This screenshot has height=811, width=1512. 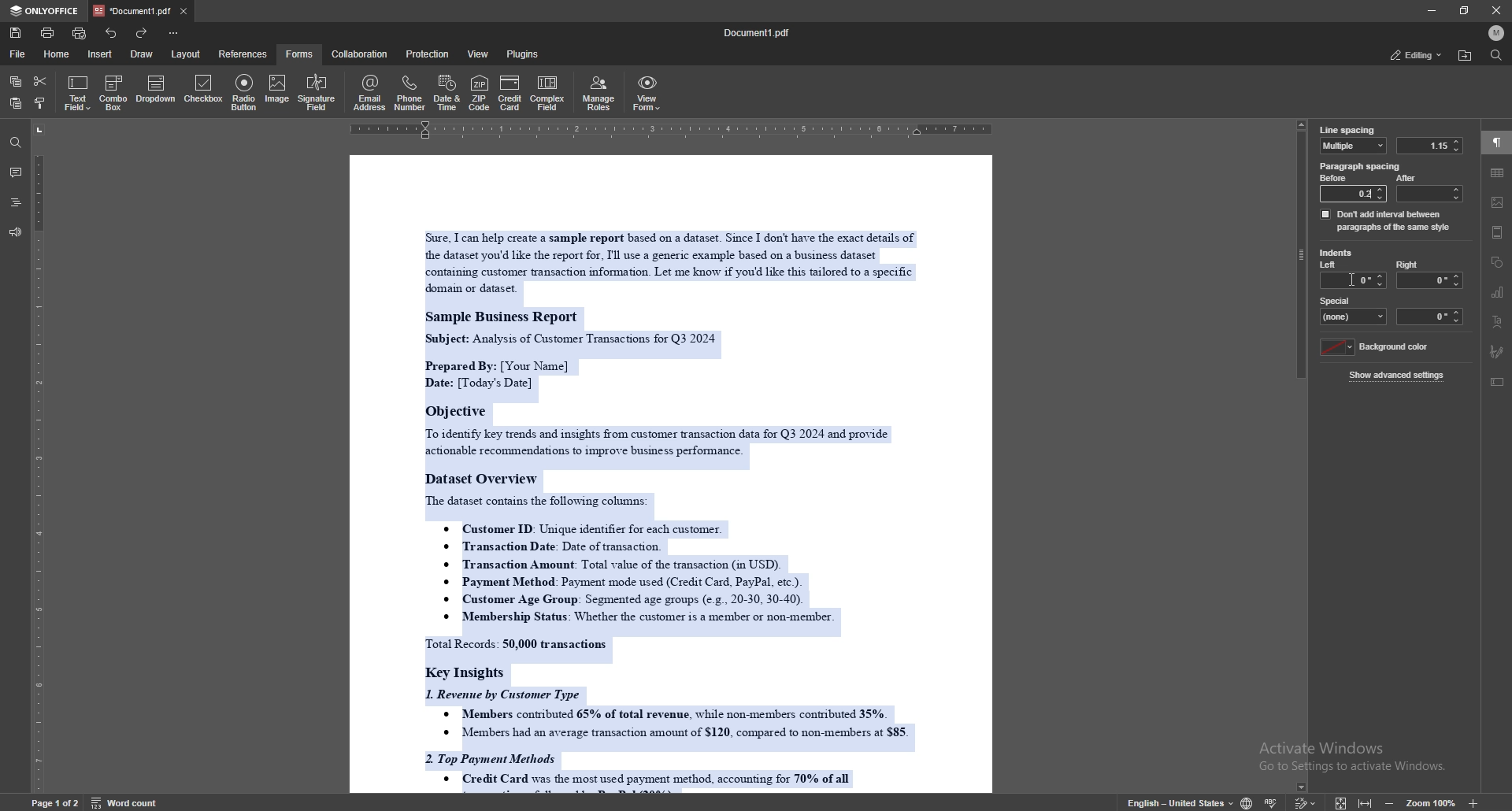 What do you see at coordinates (301, 54) in the screenshot?
I see `forms` at bounding box center [301, 54].